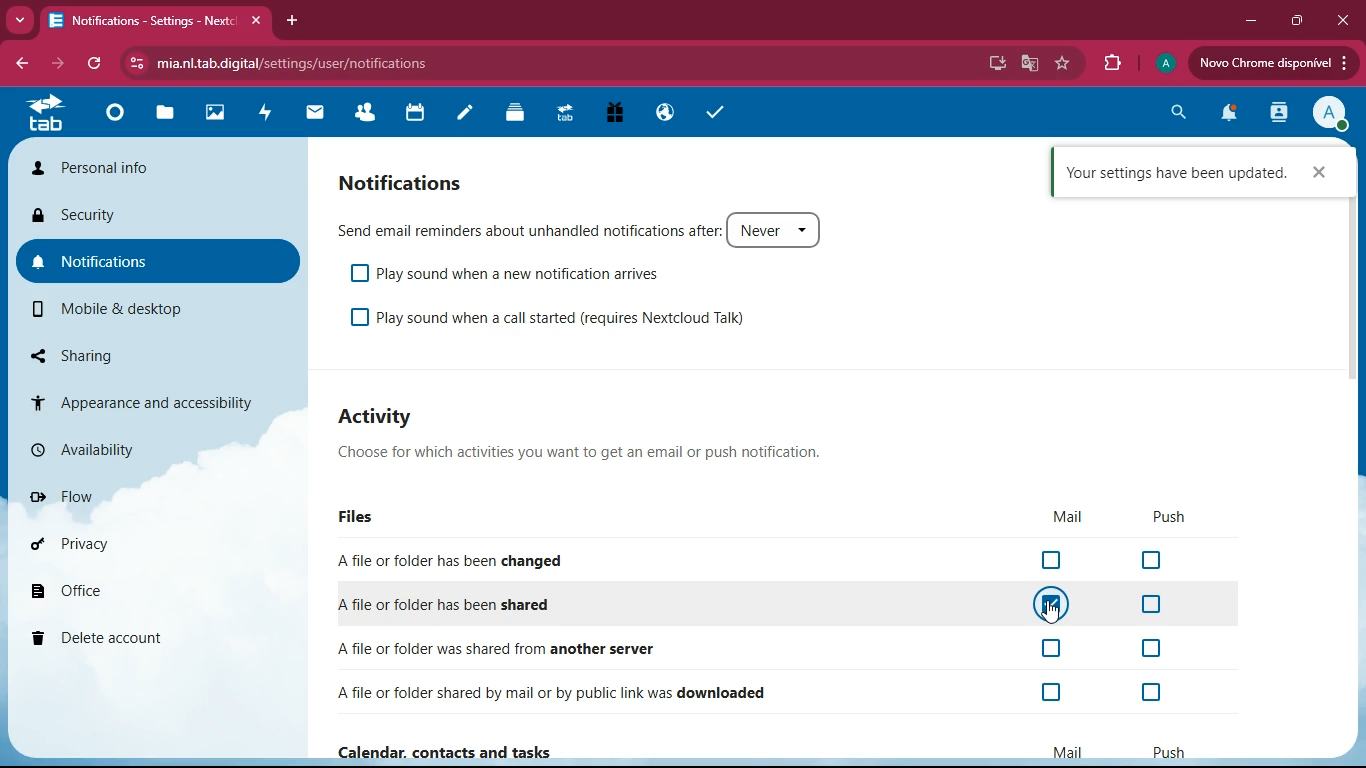 The image size is (1366, 768). What do you see at coordinates (1056, 516) in the screenshot?
I see `mail` at bounding box center [1056, 516].